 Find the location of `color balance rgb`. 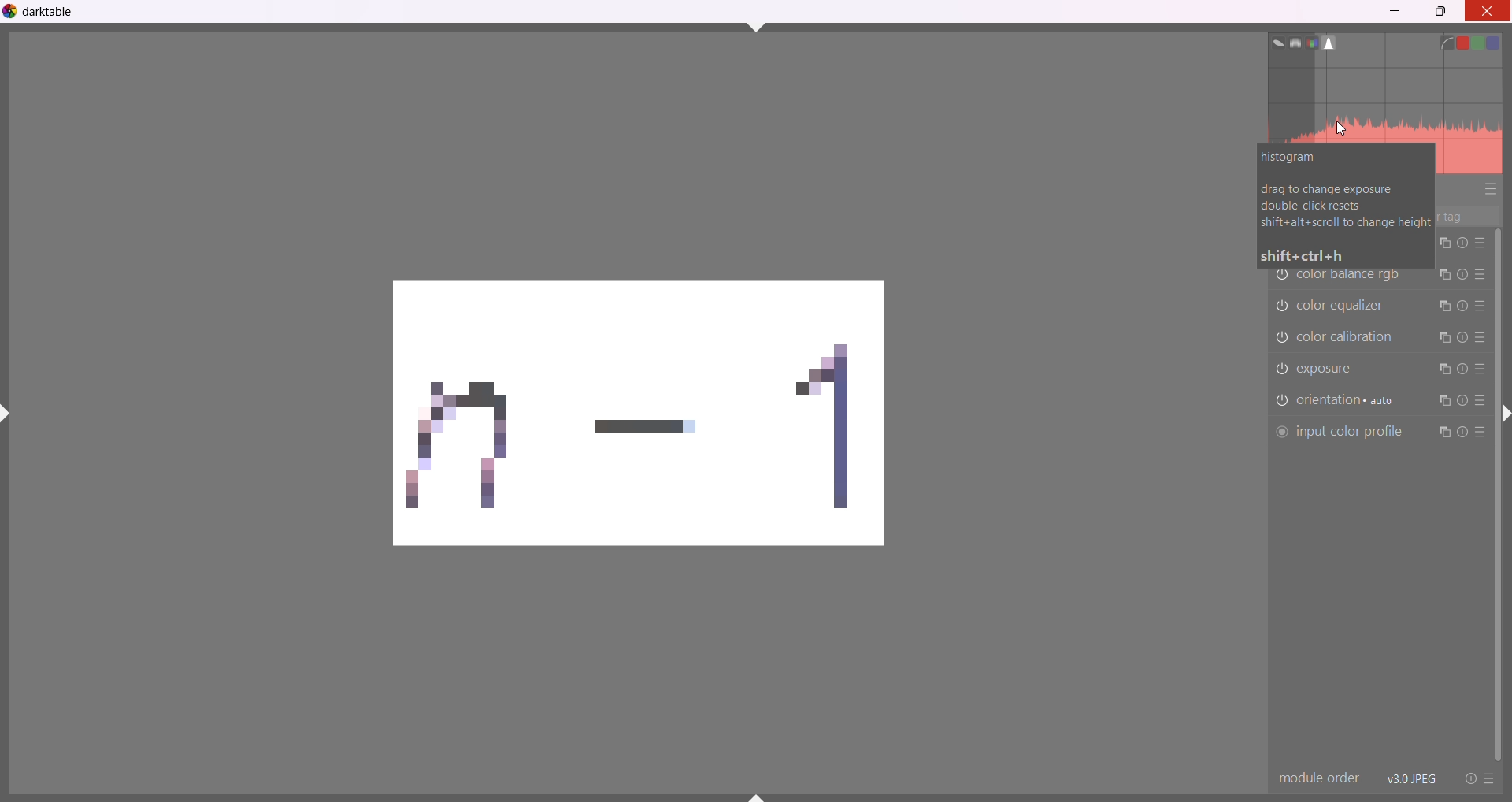

color balance rgb is located at coordinates (1352, 277).